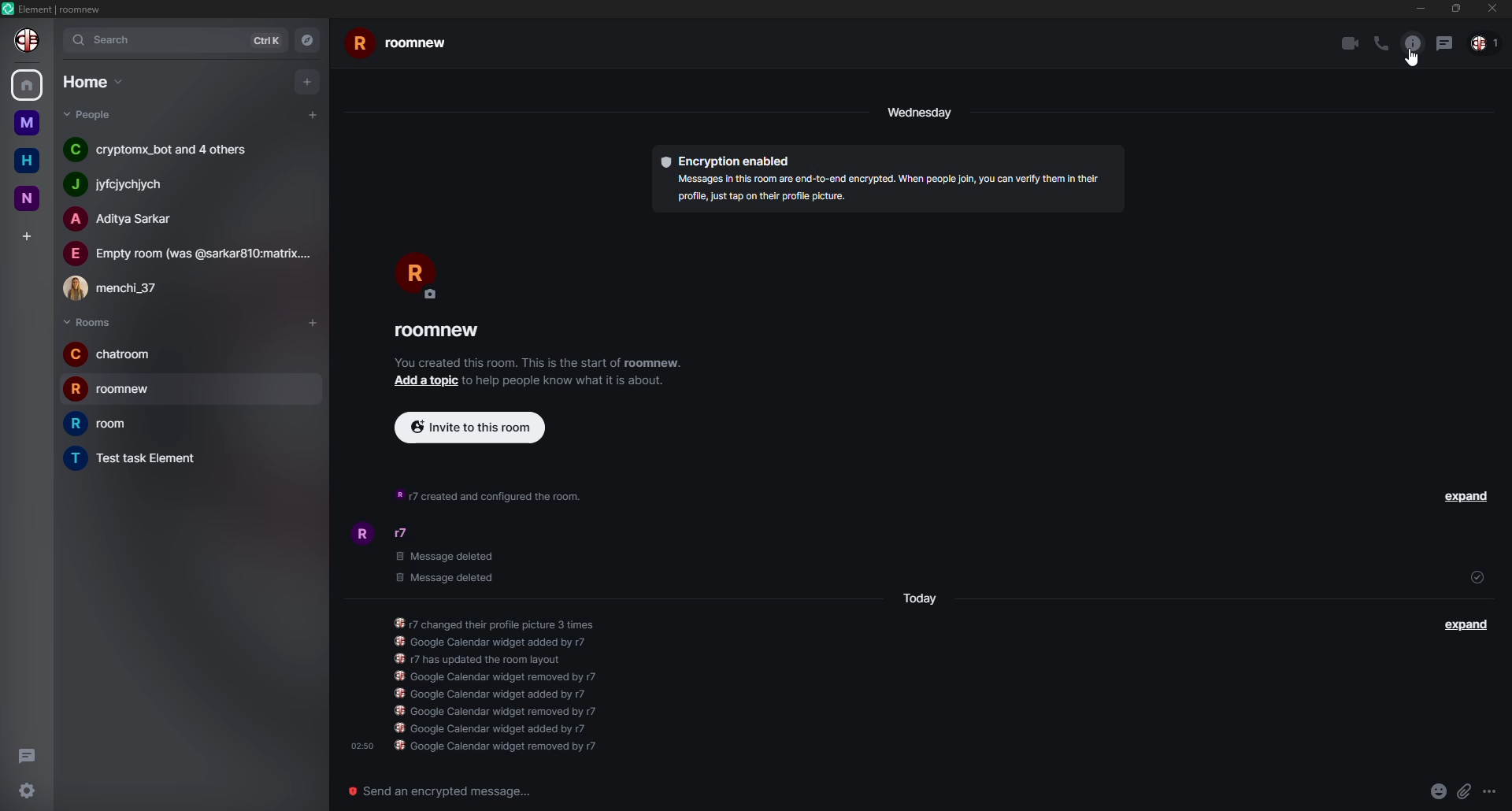 Image resolution: width=1512 pixels, height=811 pixels. Describe the element at coordinates (1415, 9) in the screenshot. I see `min` at that location.